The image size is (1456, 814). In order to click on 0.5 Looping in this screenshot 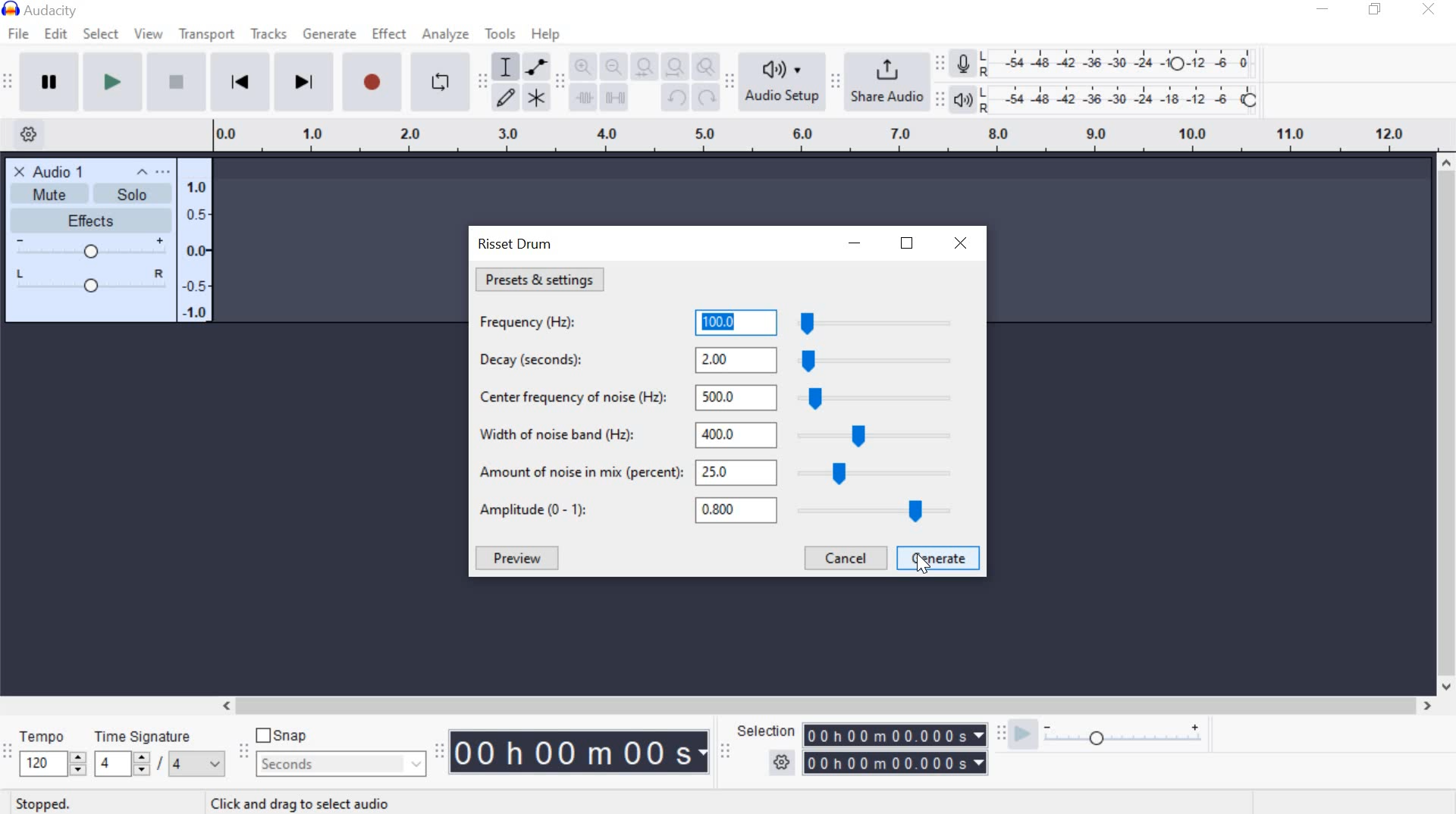, I will do `click(198, 211)`.